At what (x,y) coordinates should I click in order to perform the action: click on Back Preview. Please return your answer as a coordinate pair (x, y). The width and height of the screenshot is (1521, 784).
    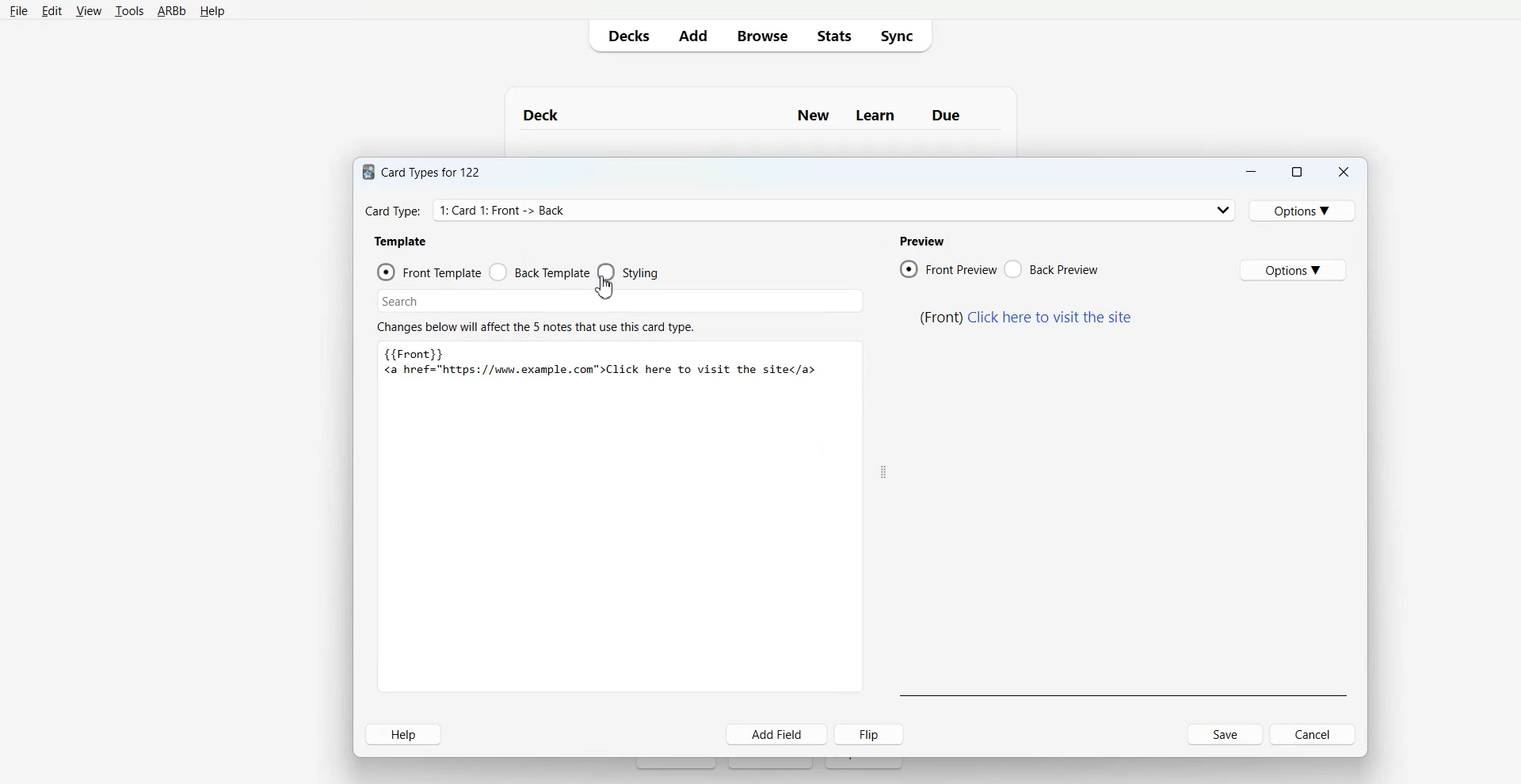
    Looking at the image, I should click on (1051, 268).